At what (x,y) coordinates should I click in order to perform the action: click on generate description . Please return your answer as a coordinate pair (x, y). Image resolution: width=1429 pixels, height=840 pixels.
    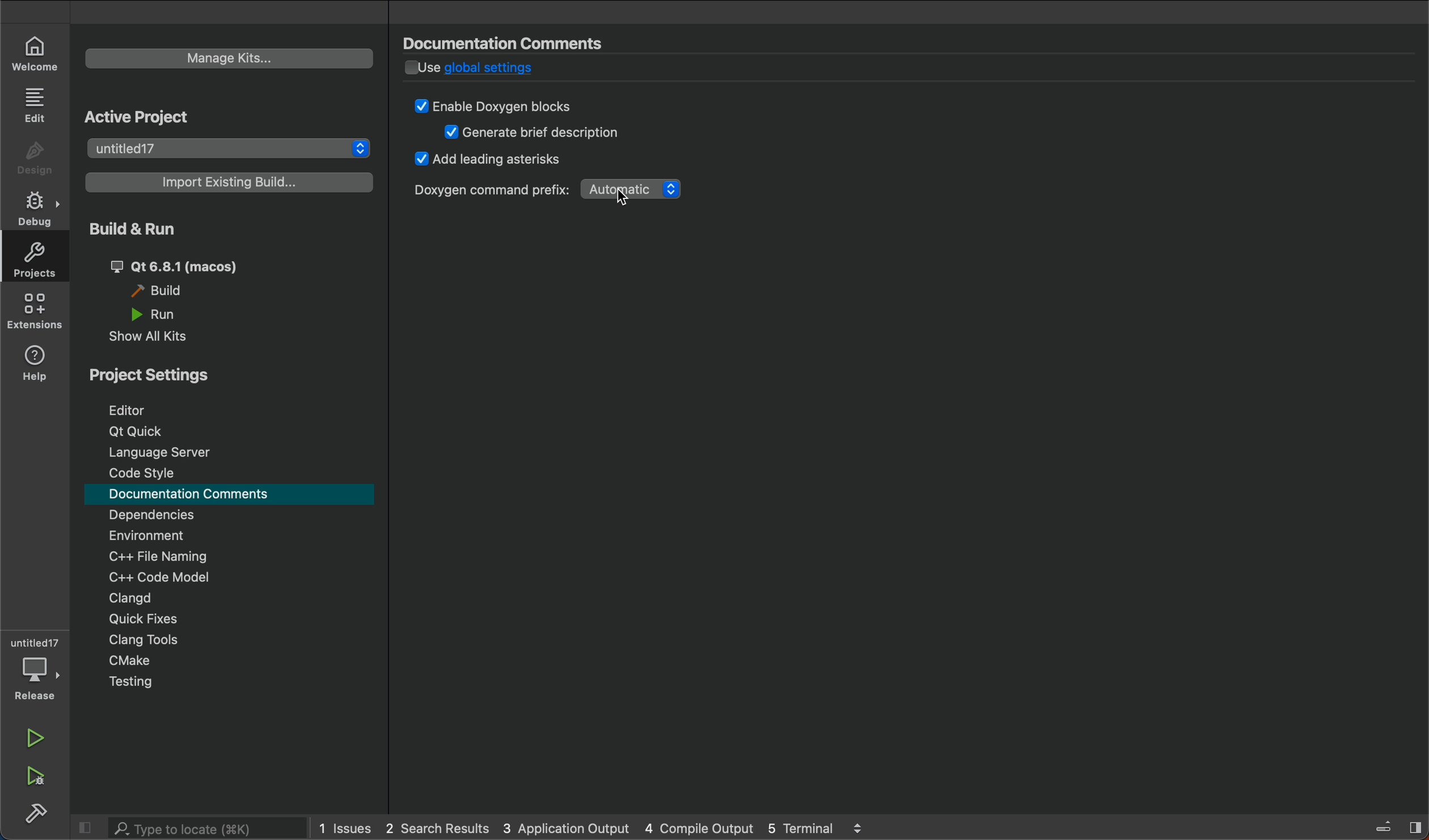
    Looking at the image, I should click on (535, 133).